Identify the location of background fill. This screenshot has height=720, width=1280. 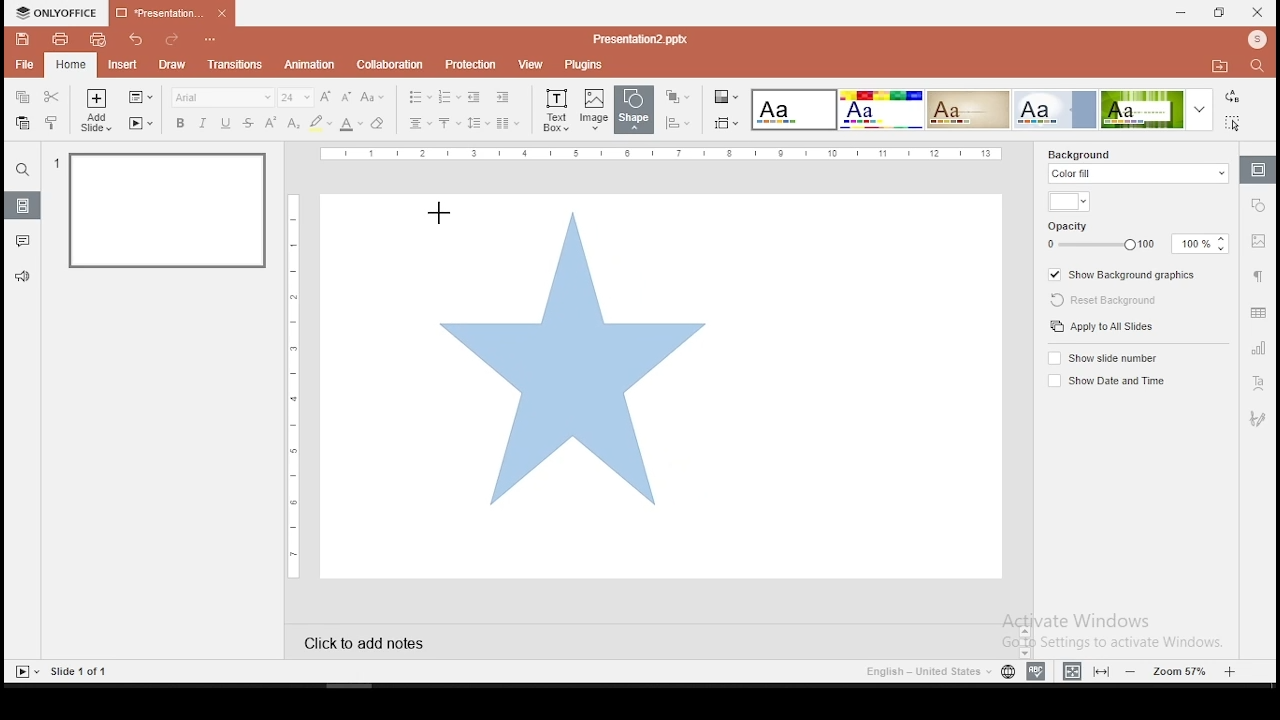
(1139, 168).